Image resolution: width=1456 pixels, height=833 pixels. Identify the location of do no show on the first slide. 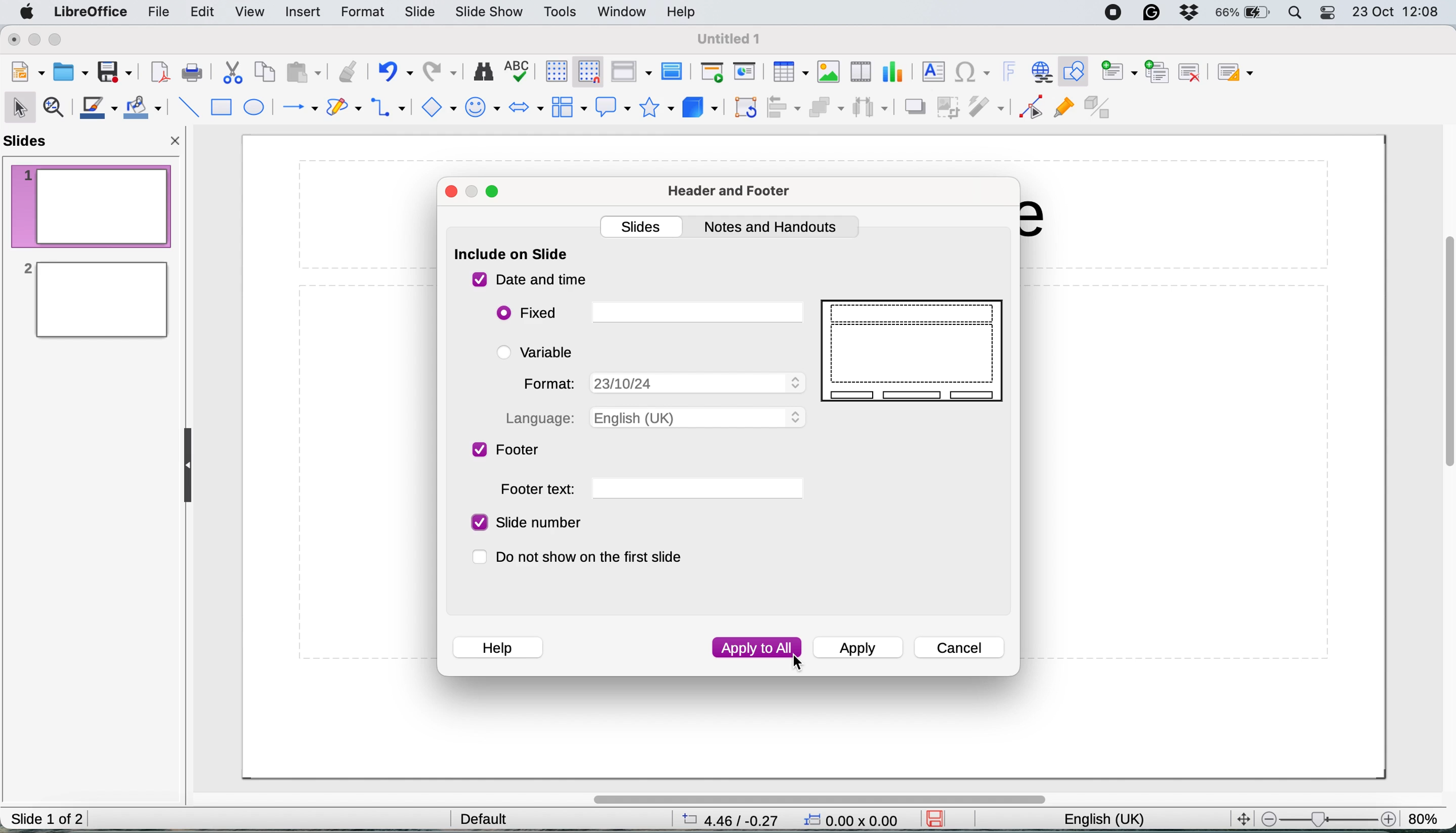
(587, 557).